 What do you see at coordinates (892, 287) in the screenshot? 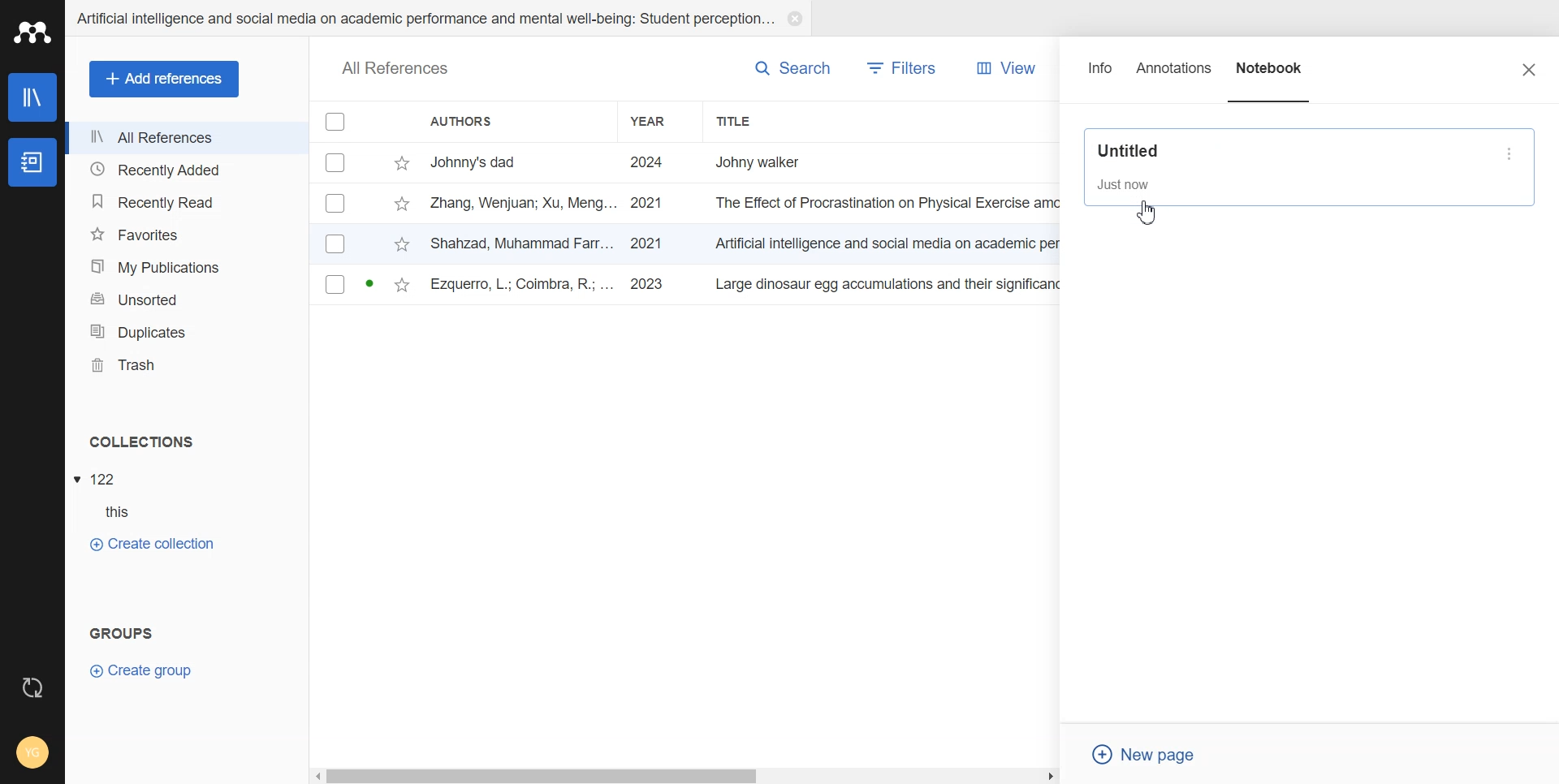
I see `large dinosaur egg accumulations and their significance` at bounding box center [892, 287].